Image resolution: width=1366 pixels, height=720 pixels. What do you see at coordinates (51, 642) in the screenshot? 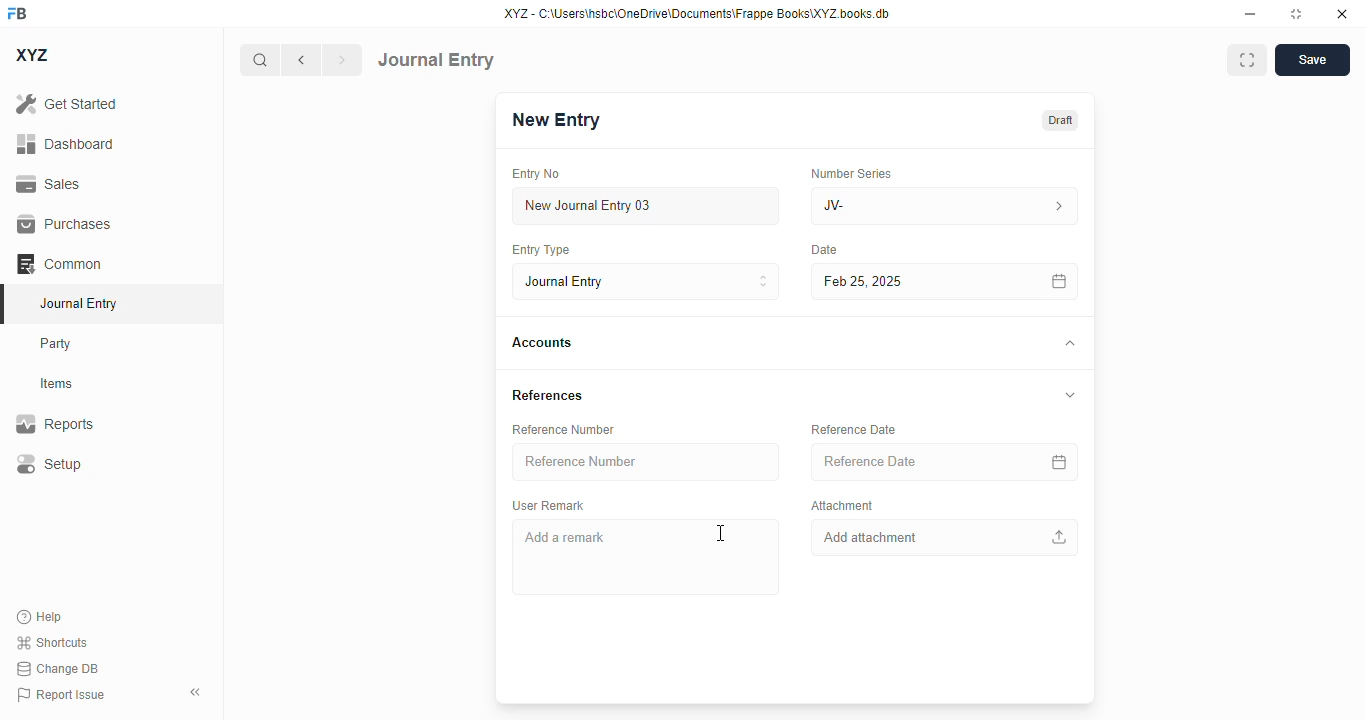
I see `shortcuts` at bounding box center [51, 642].